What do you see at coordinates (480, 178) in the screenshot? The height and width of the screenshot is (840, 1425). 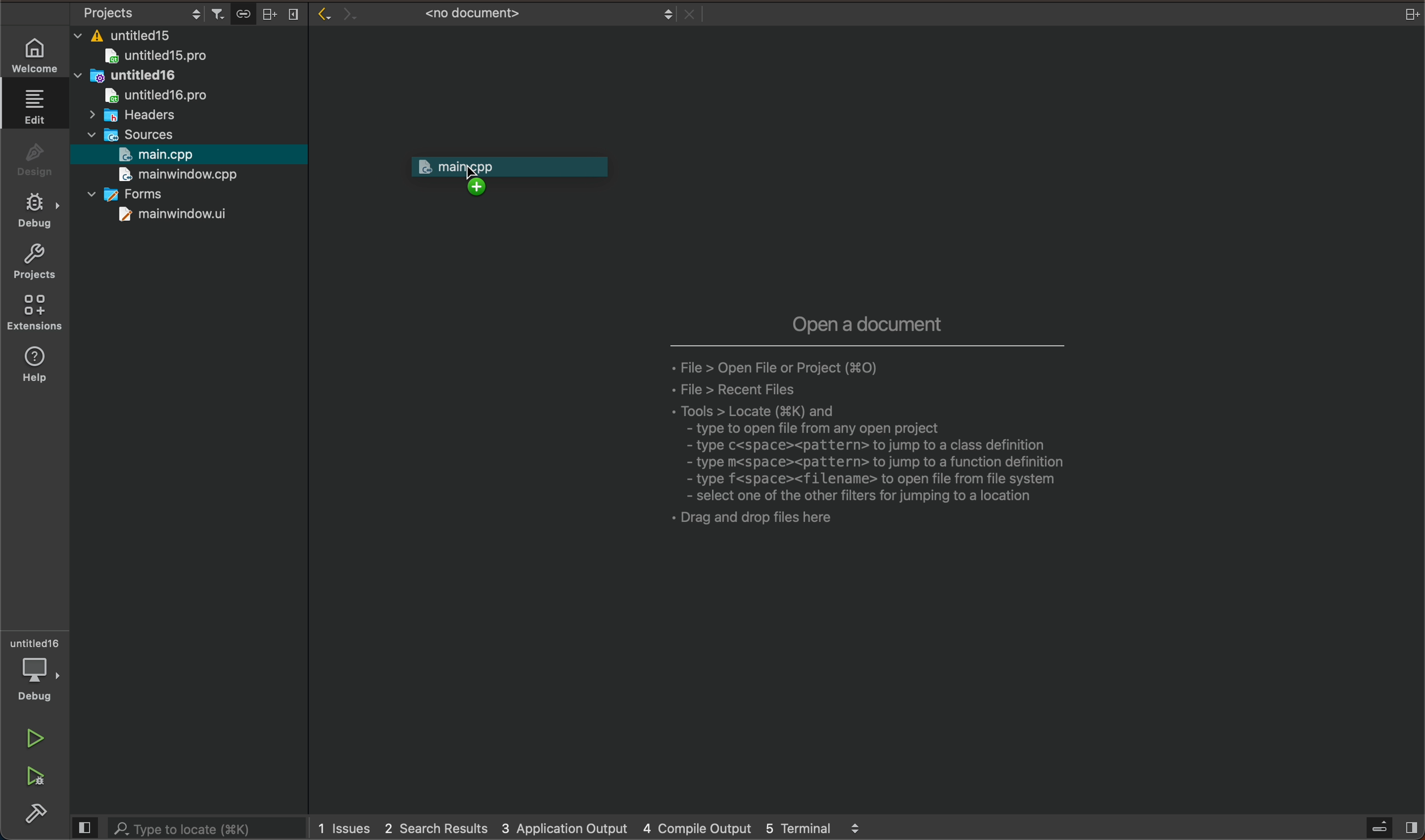 I see `cursor` at bounding box center [480, 178].